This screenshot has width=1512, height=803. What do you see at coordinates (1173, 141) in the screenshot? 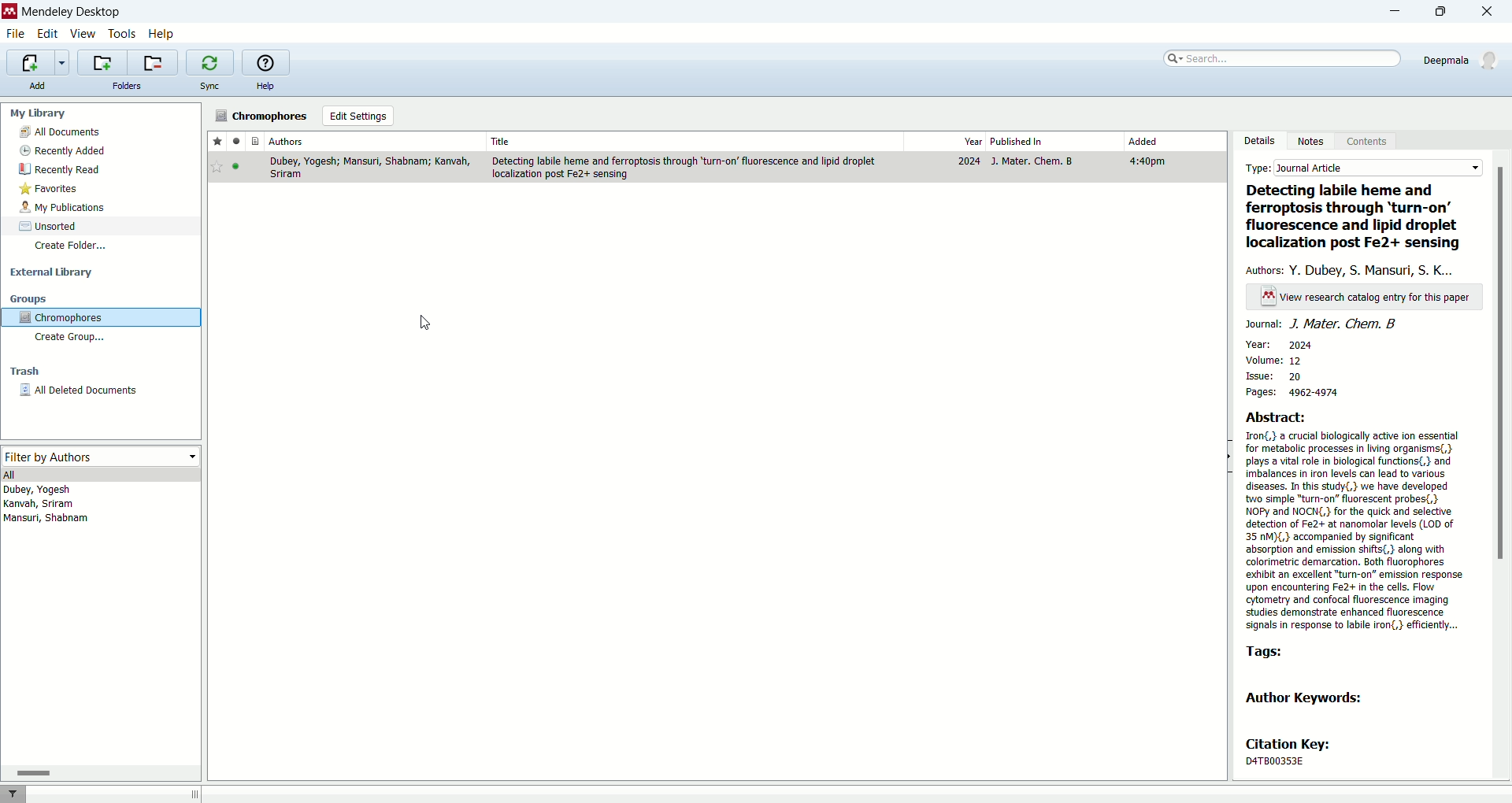
I see `added` at bounding box center [1173, 141].